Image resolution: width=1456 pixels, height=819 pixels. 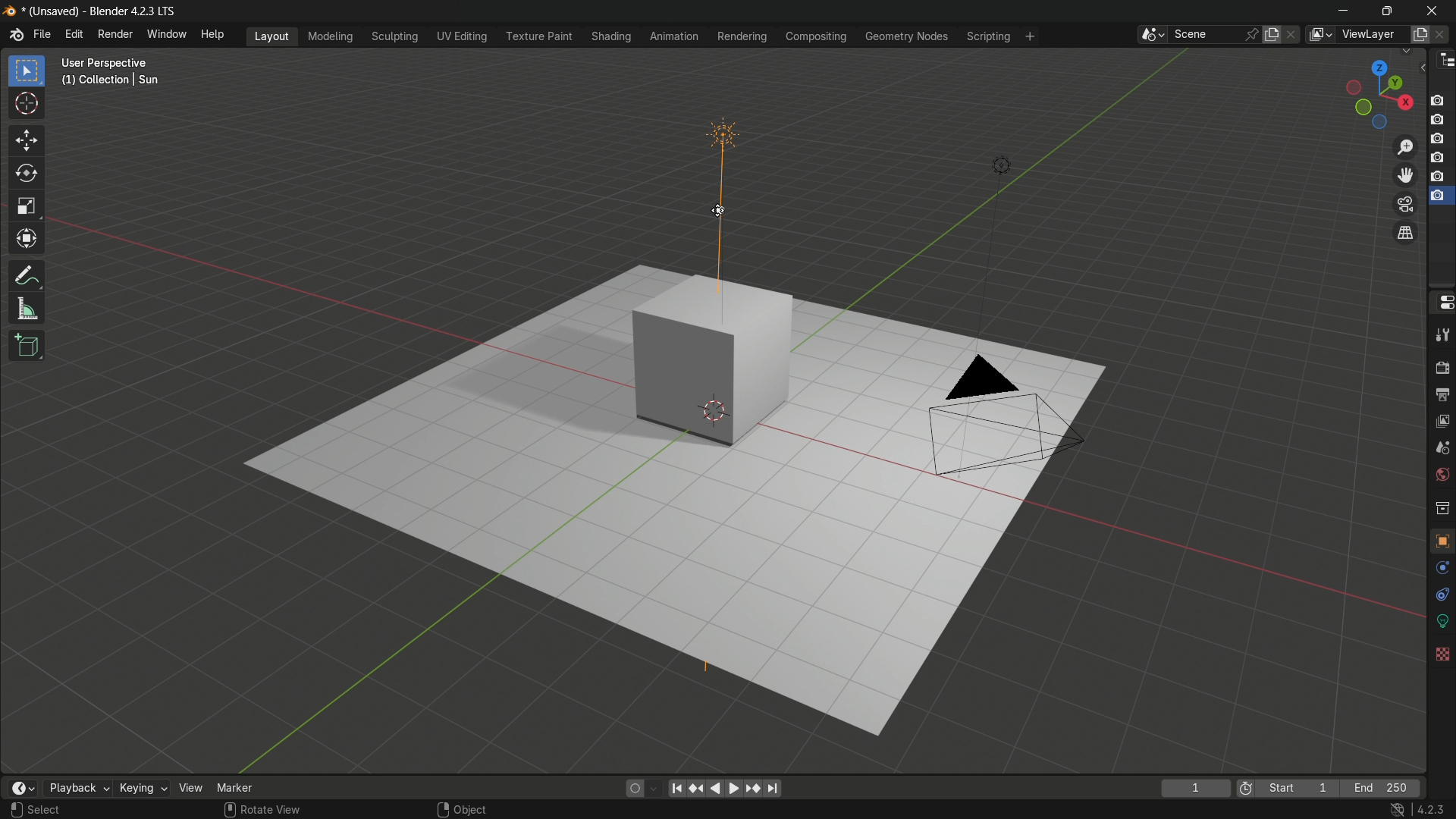 What do you see at coordinates (1442, 335) in the screenshot?
I see `tools` at bounding box center [1442, 335].